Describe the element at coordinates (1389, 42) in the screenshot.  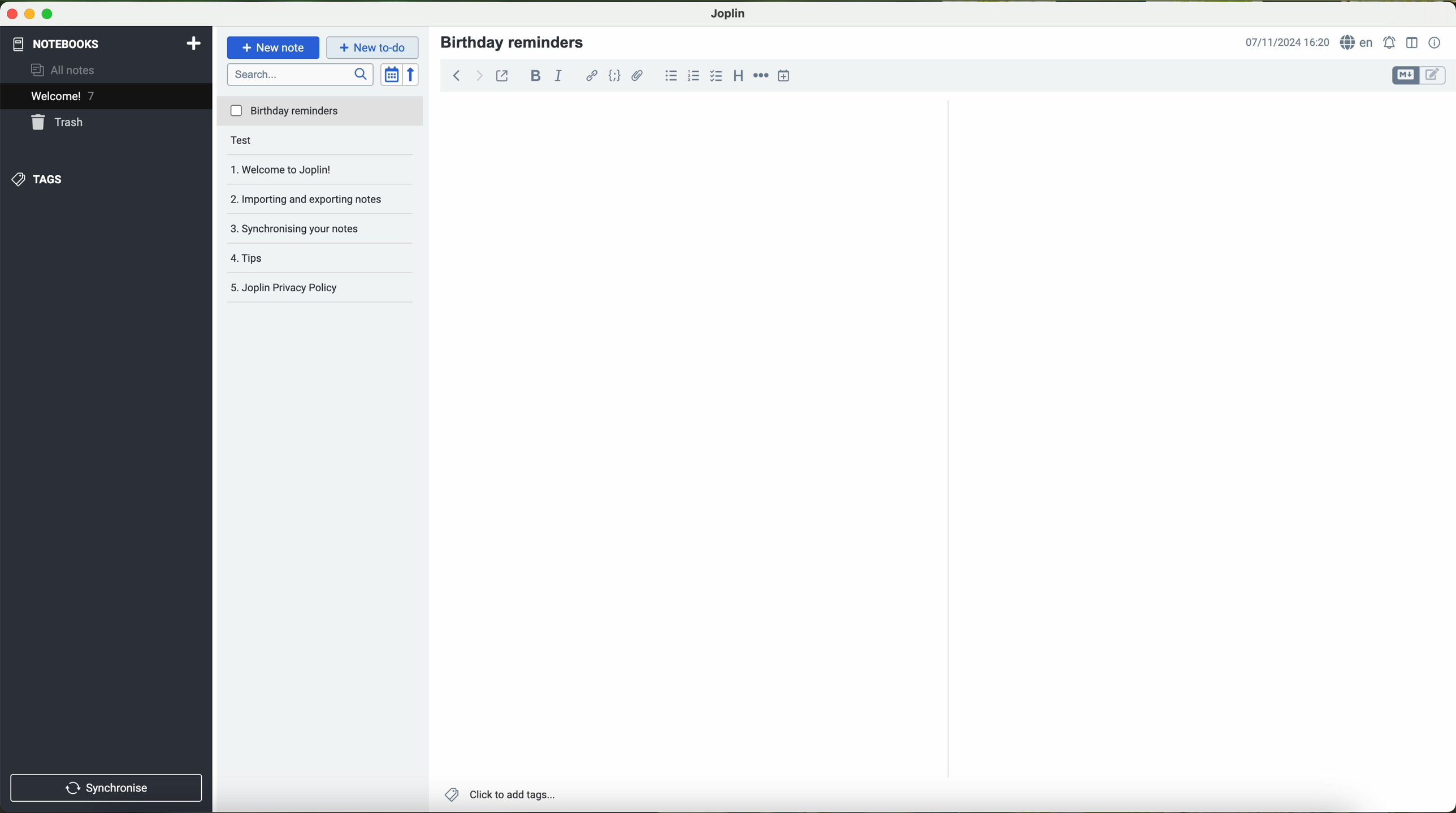
I see `set alarm` at that location.